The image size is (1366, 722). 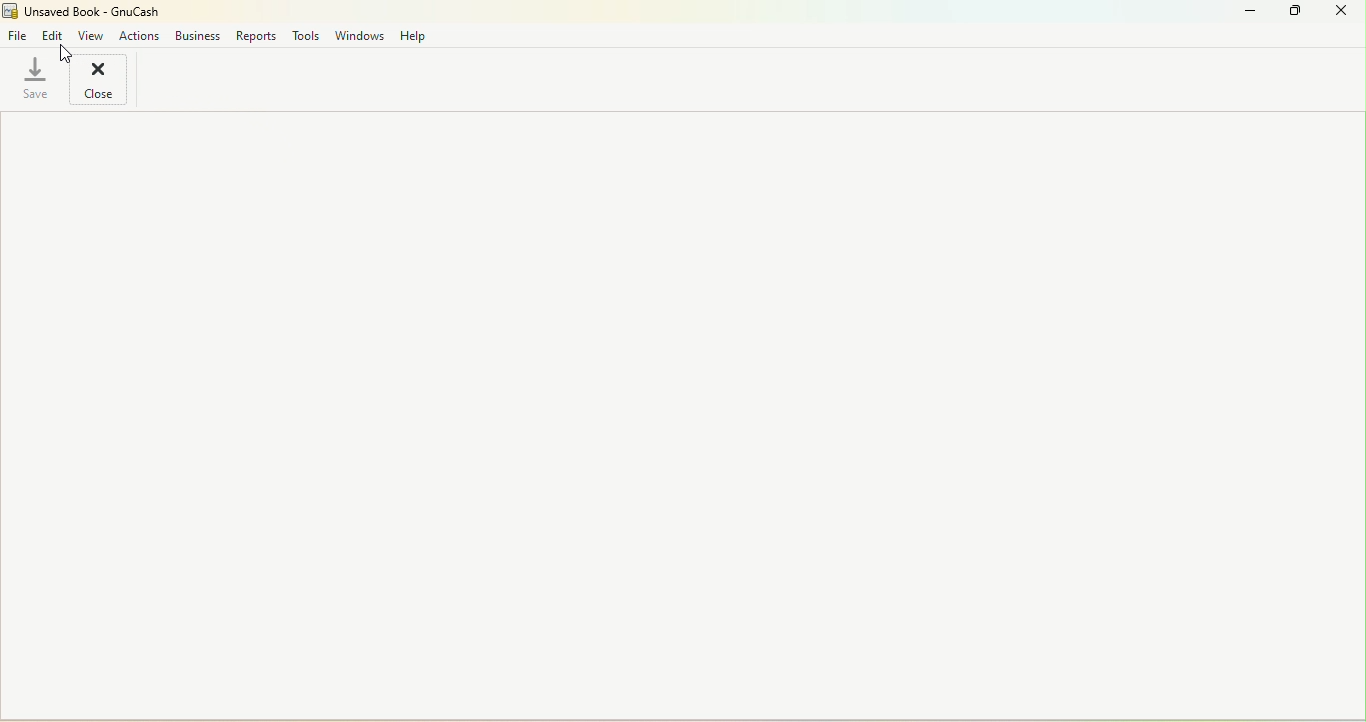 What do you see at coordinates (255, 35) in the screenshot?
I see `Reports` at bounding box center [255, 35].